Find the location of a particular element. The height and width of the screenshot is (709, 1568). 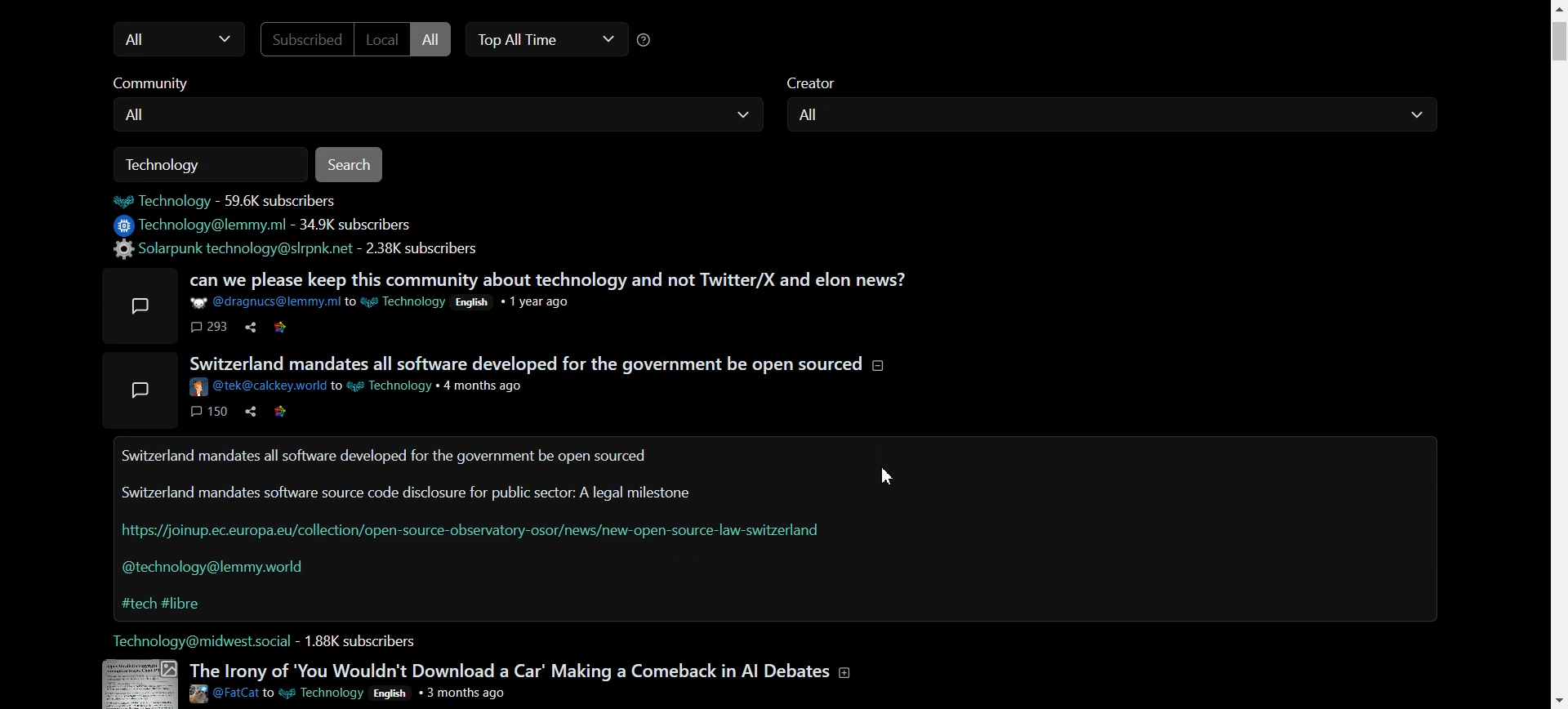

@technology@lemmy.world is located at coordinates (217, 571).